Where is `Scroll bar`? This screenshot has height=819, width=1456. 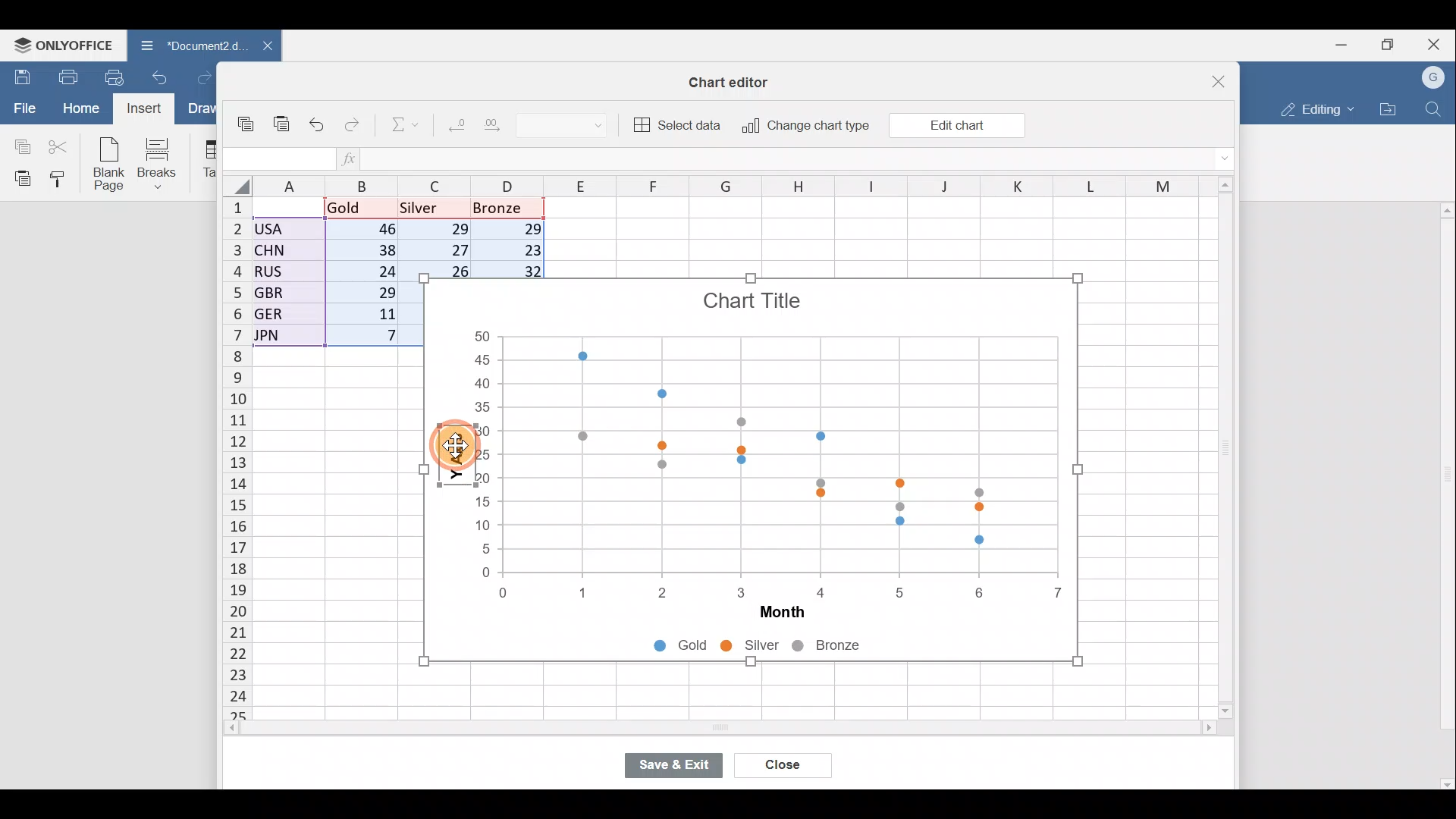
Scroll bar is located at coordinates (1444, 495).